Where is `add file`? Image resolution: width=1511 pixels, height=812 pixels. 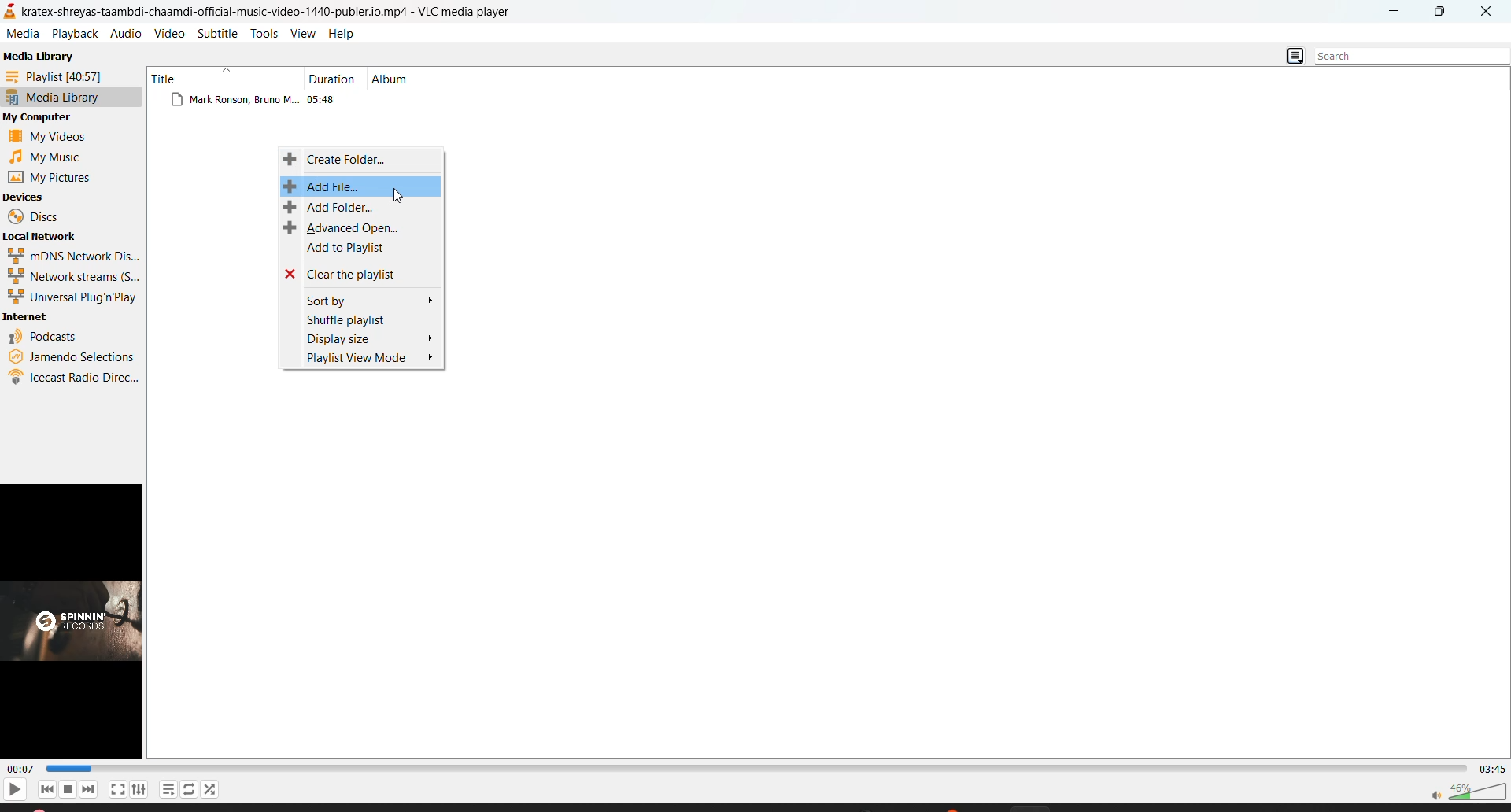 add file is located at coordinates (327, 186).